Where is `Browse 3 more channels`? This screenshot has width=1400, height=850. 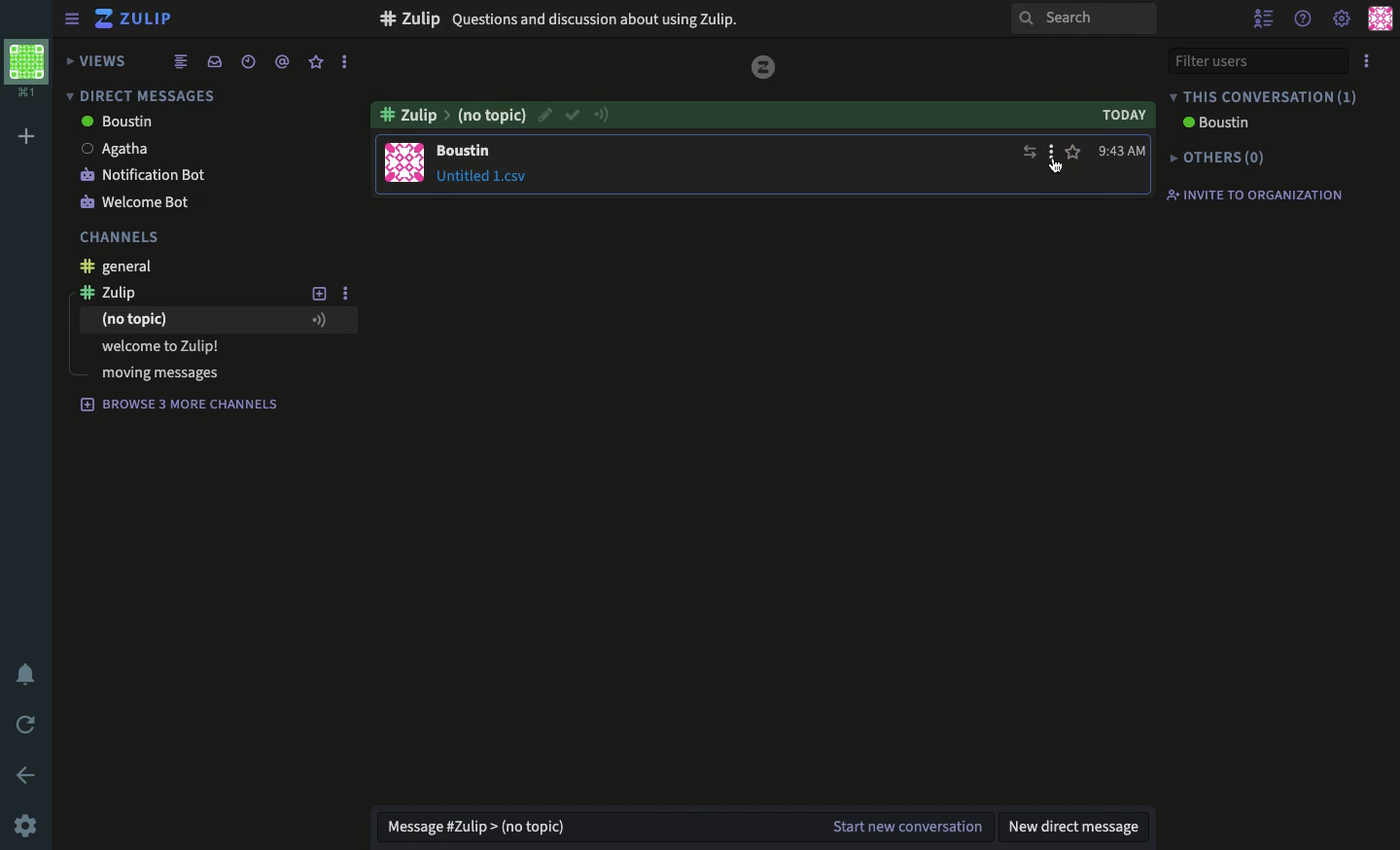 Browse 3 more channels is located at coordinates (181, 406).